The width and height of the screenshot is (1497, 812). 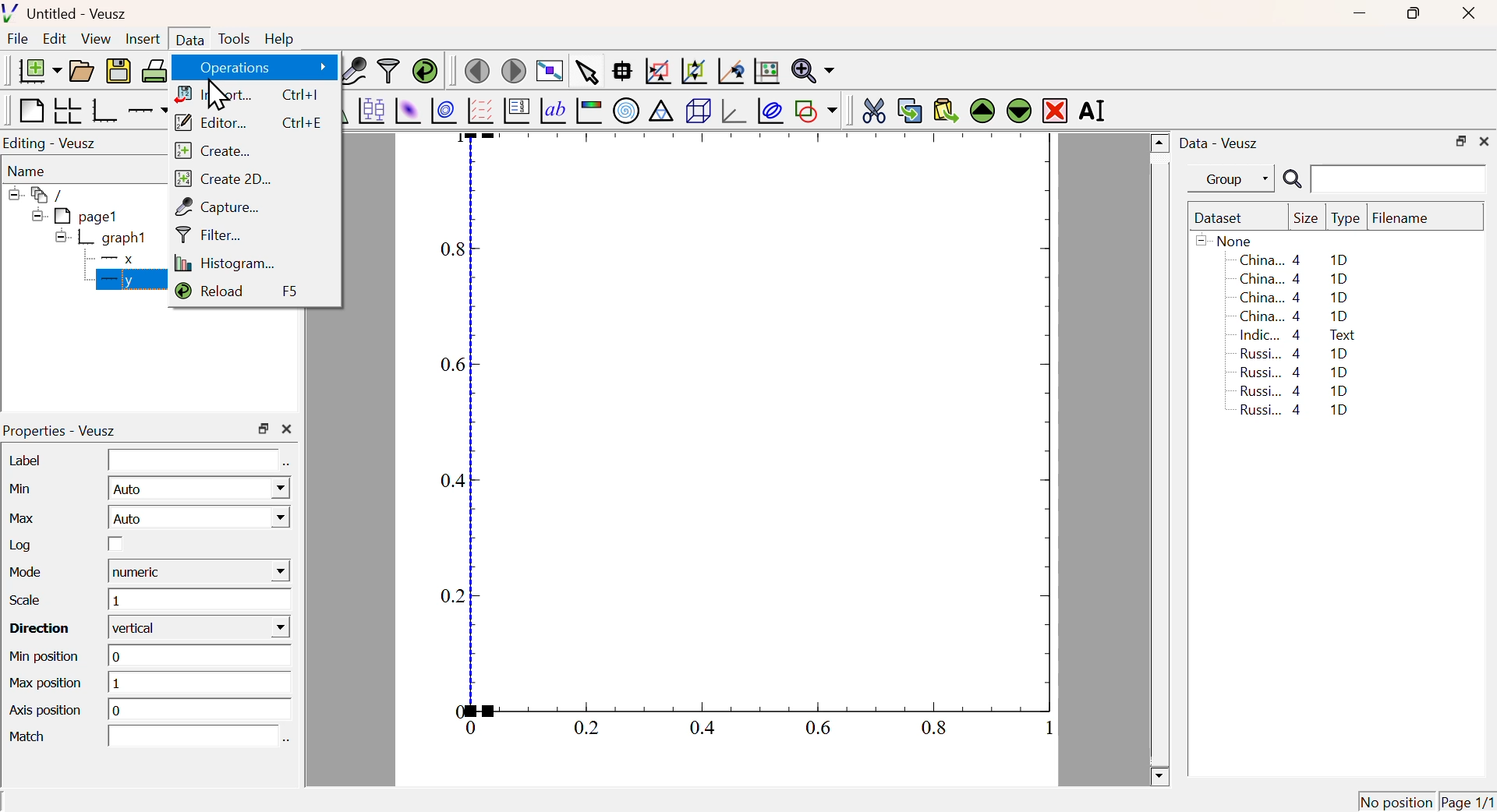 I want to click on Select using dataset Browser, so click(x=286, y=466).